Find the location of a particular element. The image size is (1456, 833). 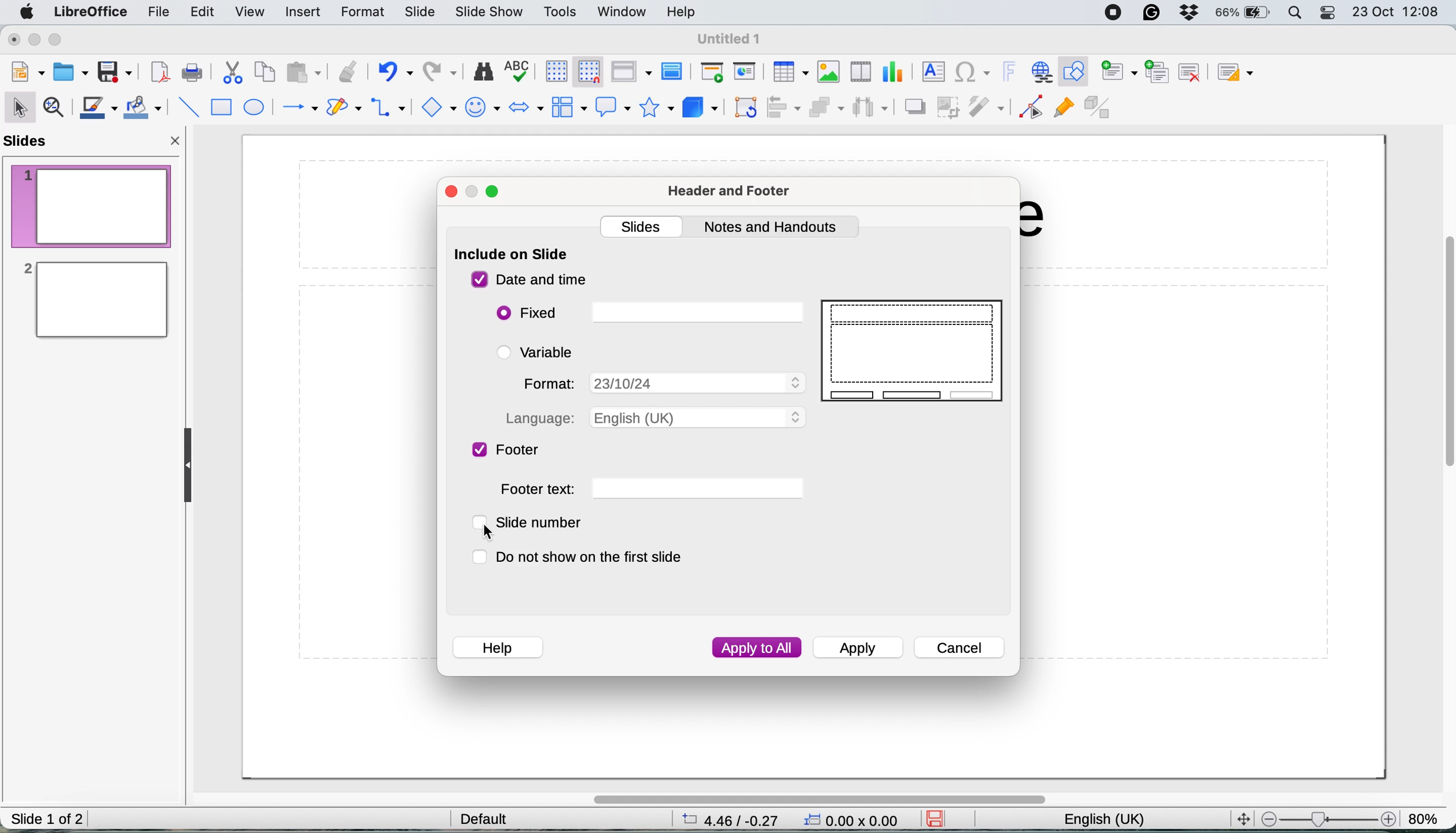

grammarly is located at coordinates (1153, 14).